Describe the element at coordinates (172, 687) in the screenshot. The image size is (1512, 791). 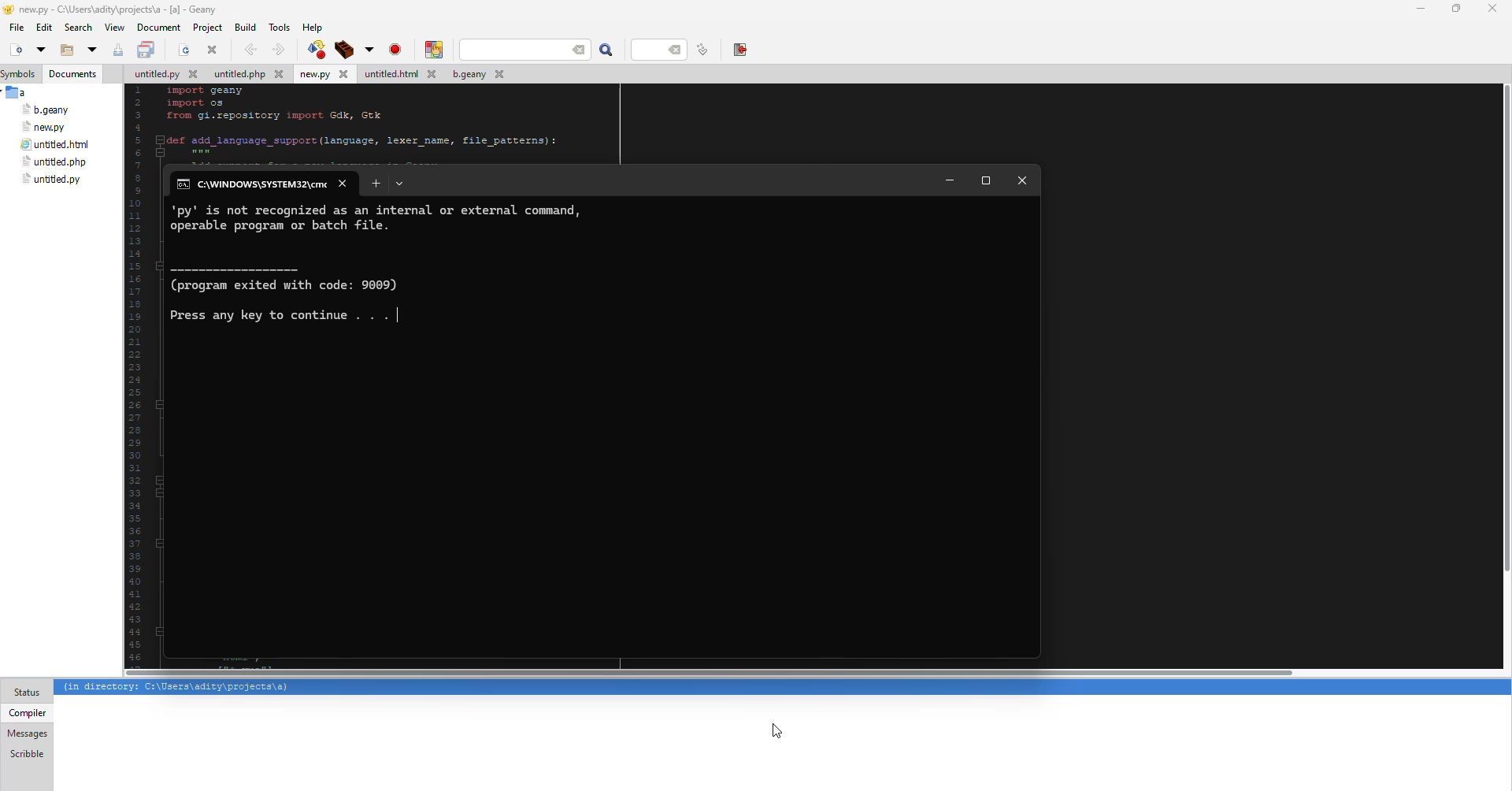
I see `info` at that location.